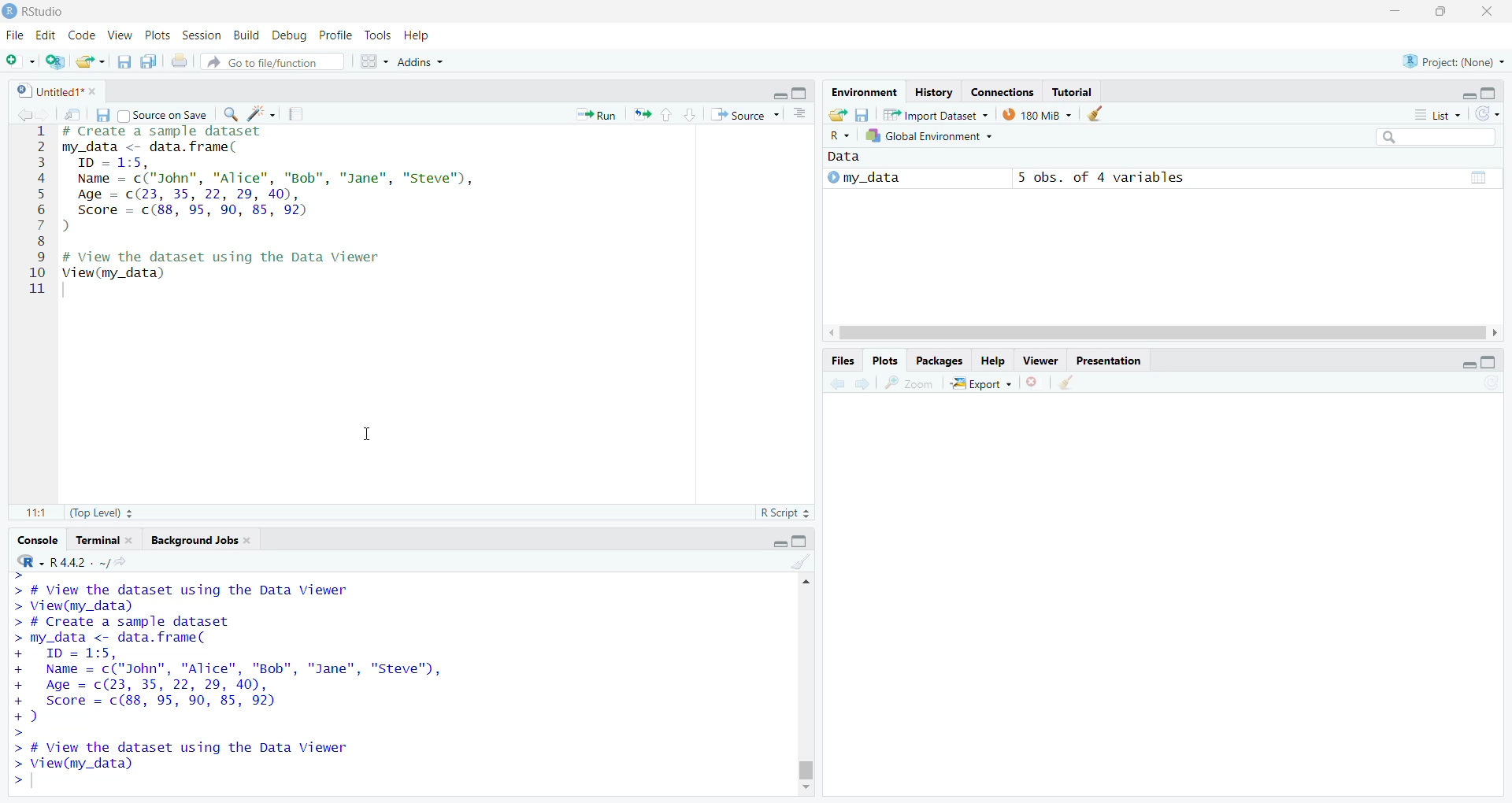  Describe the element at coordinates (800, 94) in the screenshot. I see `Maximize` at that location.